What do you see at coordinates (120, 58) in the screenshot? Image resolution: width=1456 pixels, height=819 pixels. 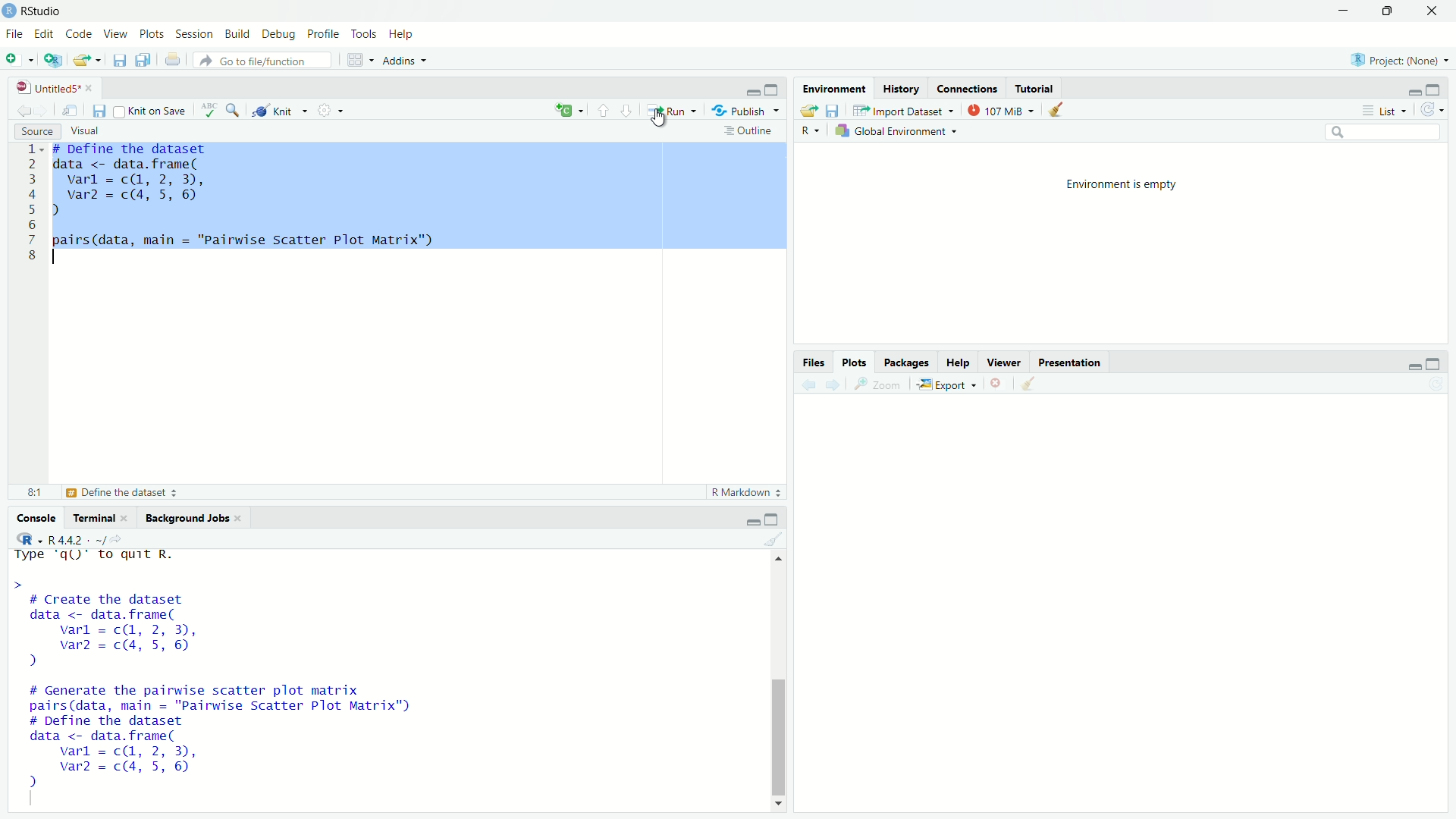 I see `Save current document (Ctrl + S)` at bounding box center [120, 58].